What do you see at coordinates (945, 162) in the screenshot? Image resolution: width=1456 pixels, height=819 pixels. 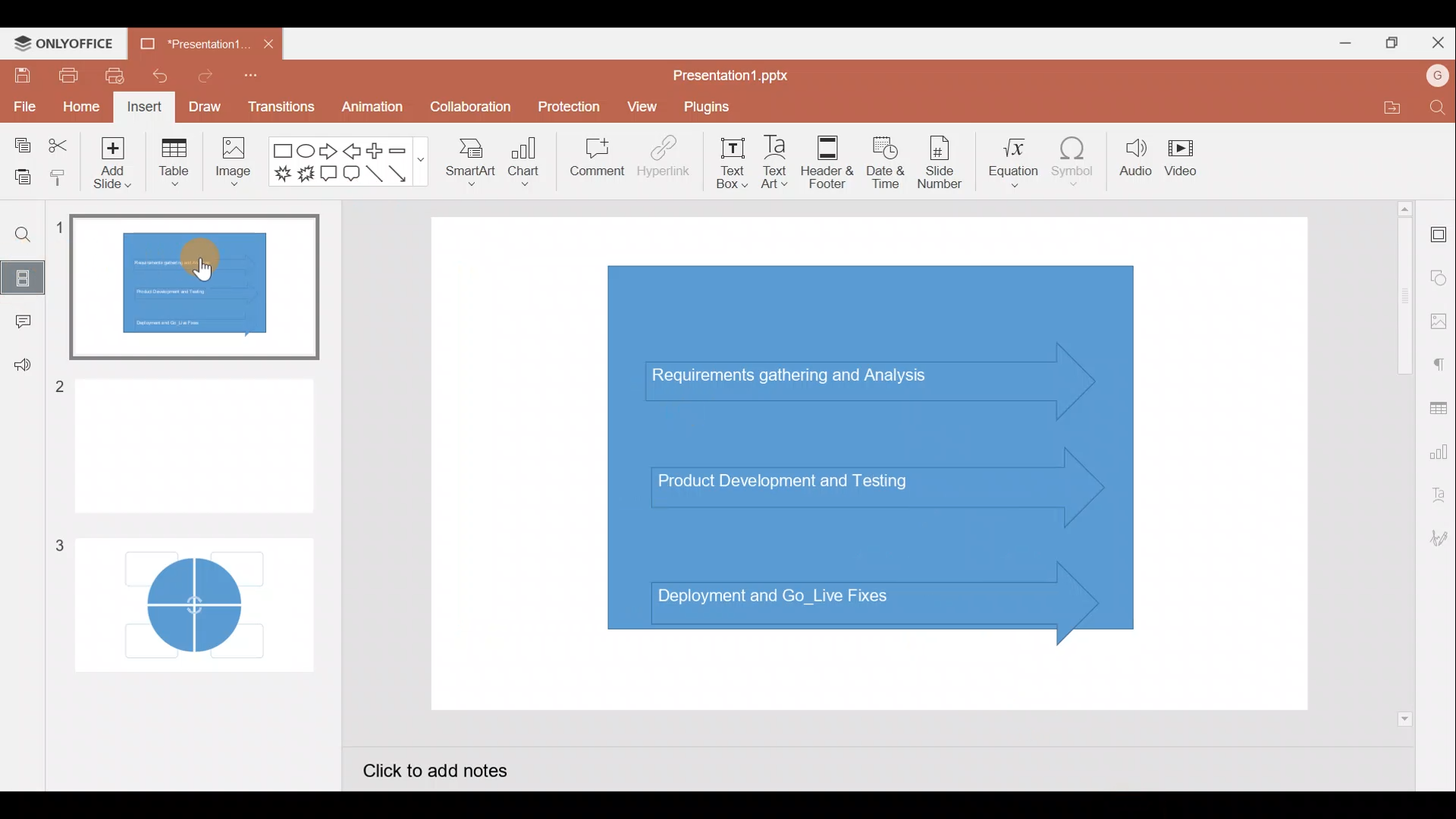 I see `Slide number` at bounding box center [945, 162].